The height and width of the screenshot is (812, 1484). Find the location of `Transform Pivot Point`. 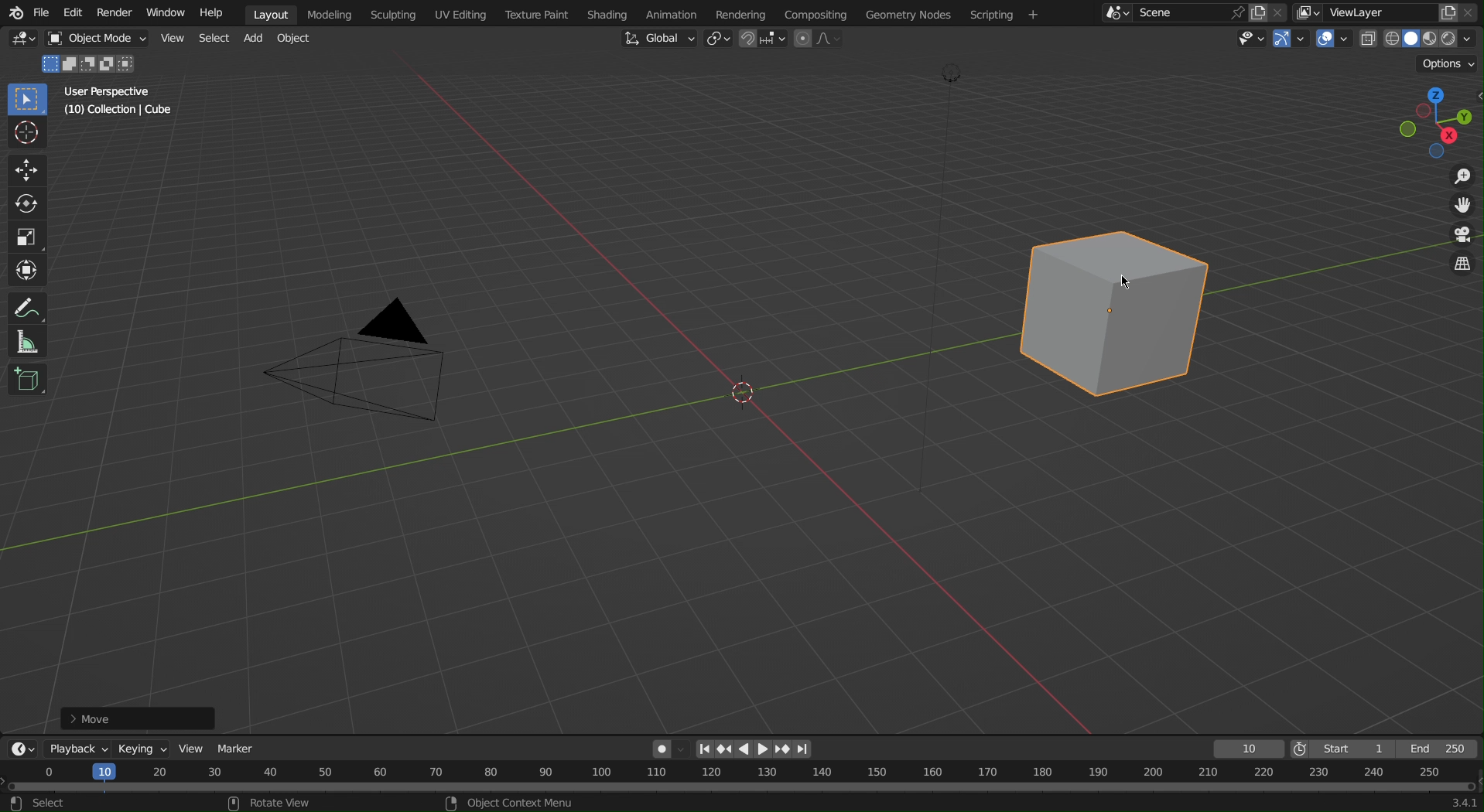

Transform Pivot Point is located at coordinates (721, 40).